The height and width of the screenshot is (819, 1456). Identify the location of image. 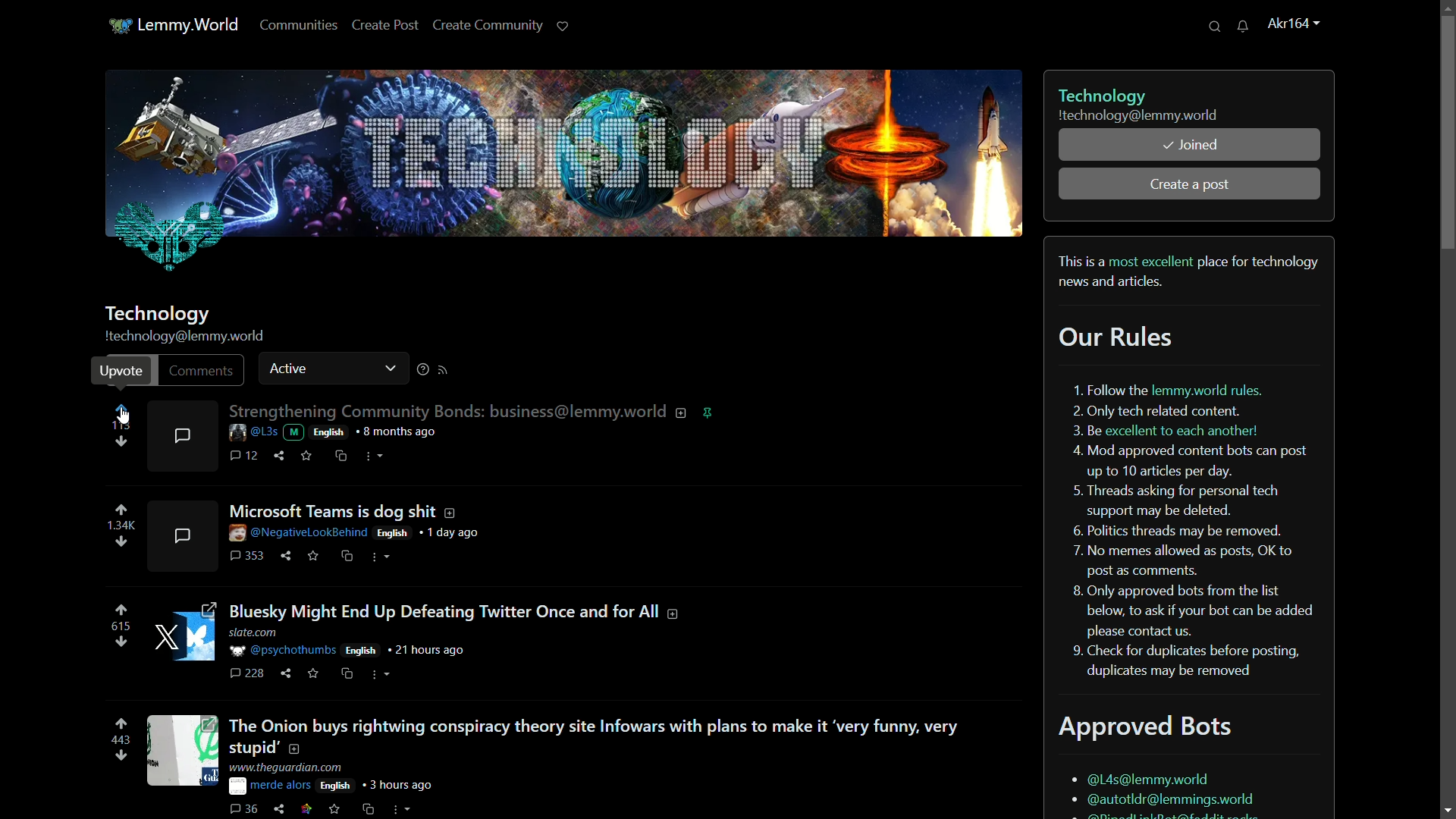
(182, 627).